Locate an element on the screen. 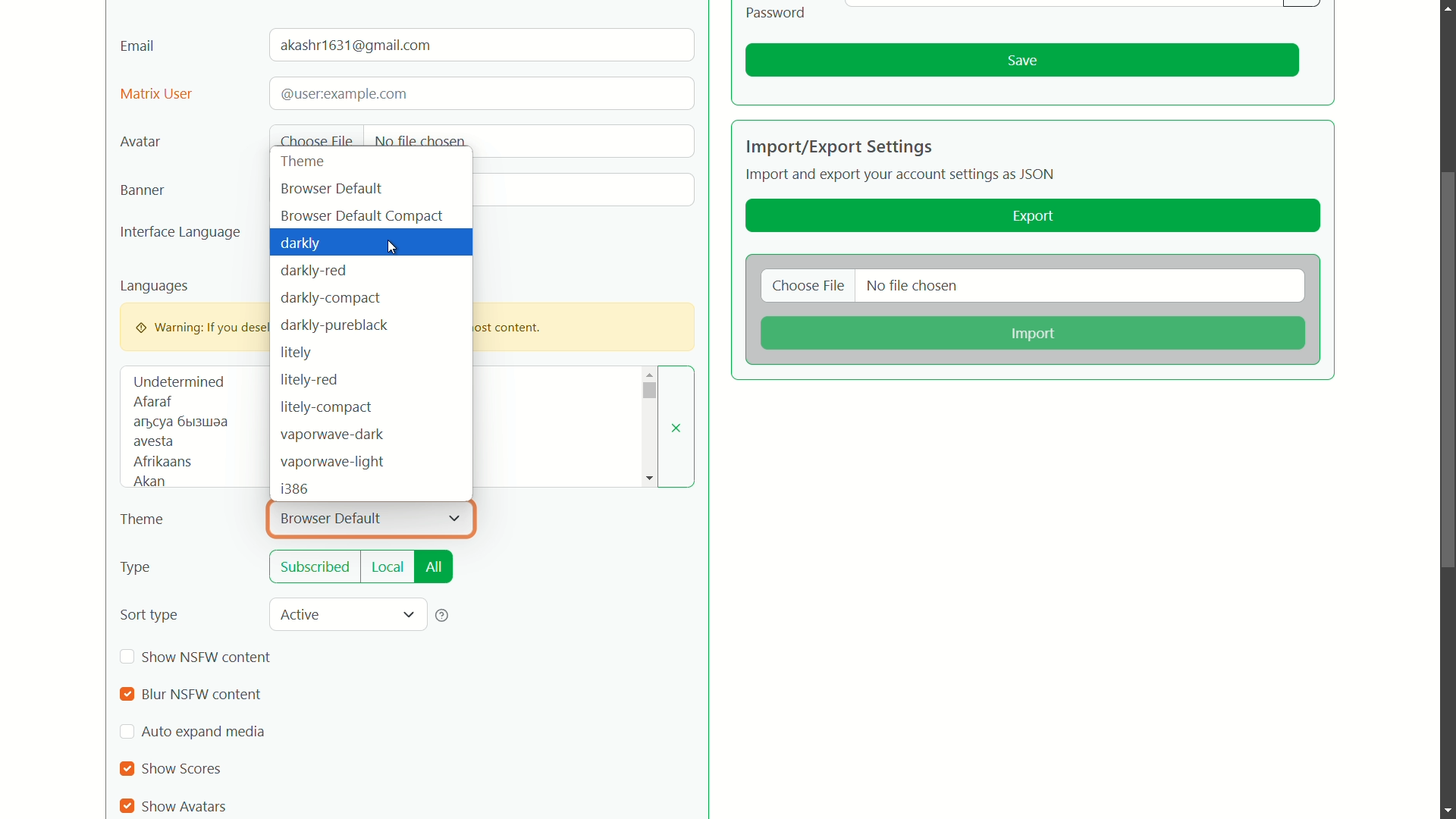 The image size is (1456, 819). languages is located at coordinates (155, 286).